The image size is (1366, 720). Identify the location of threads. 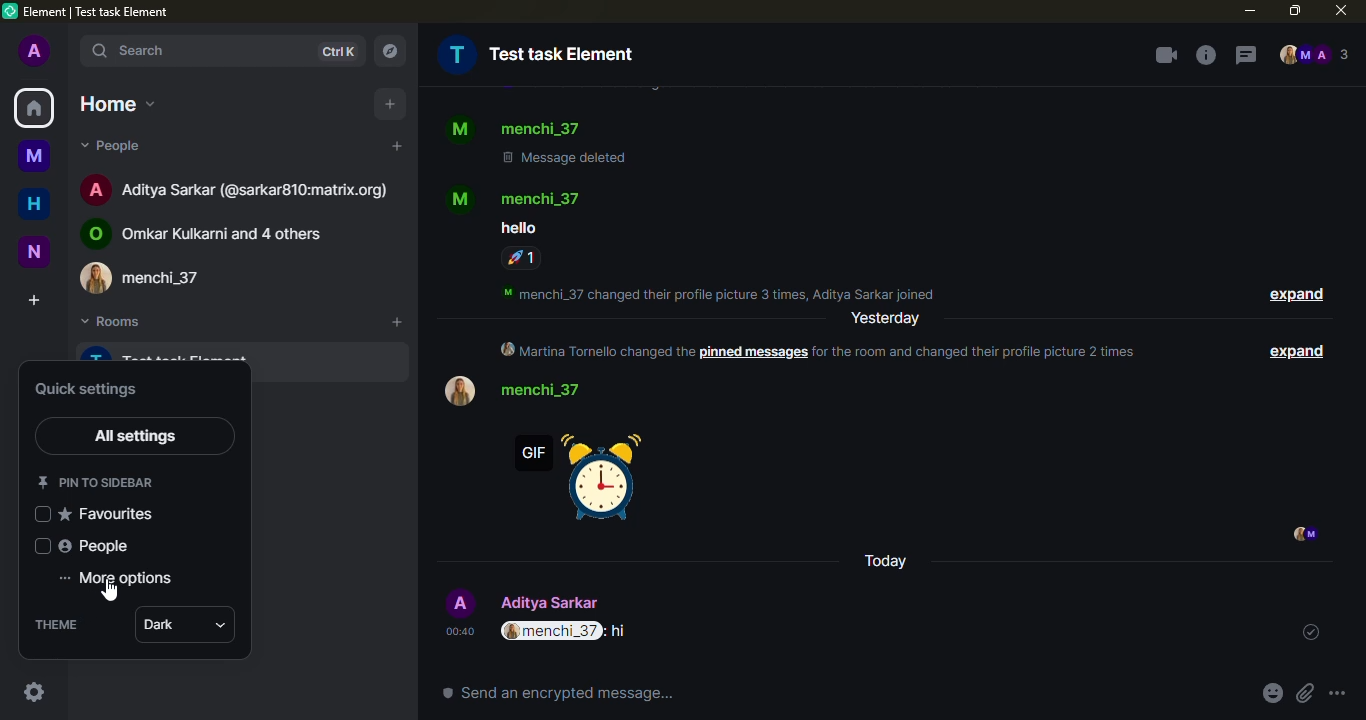
(1242, 56).